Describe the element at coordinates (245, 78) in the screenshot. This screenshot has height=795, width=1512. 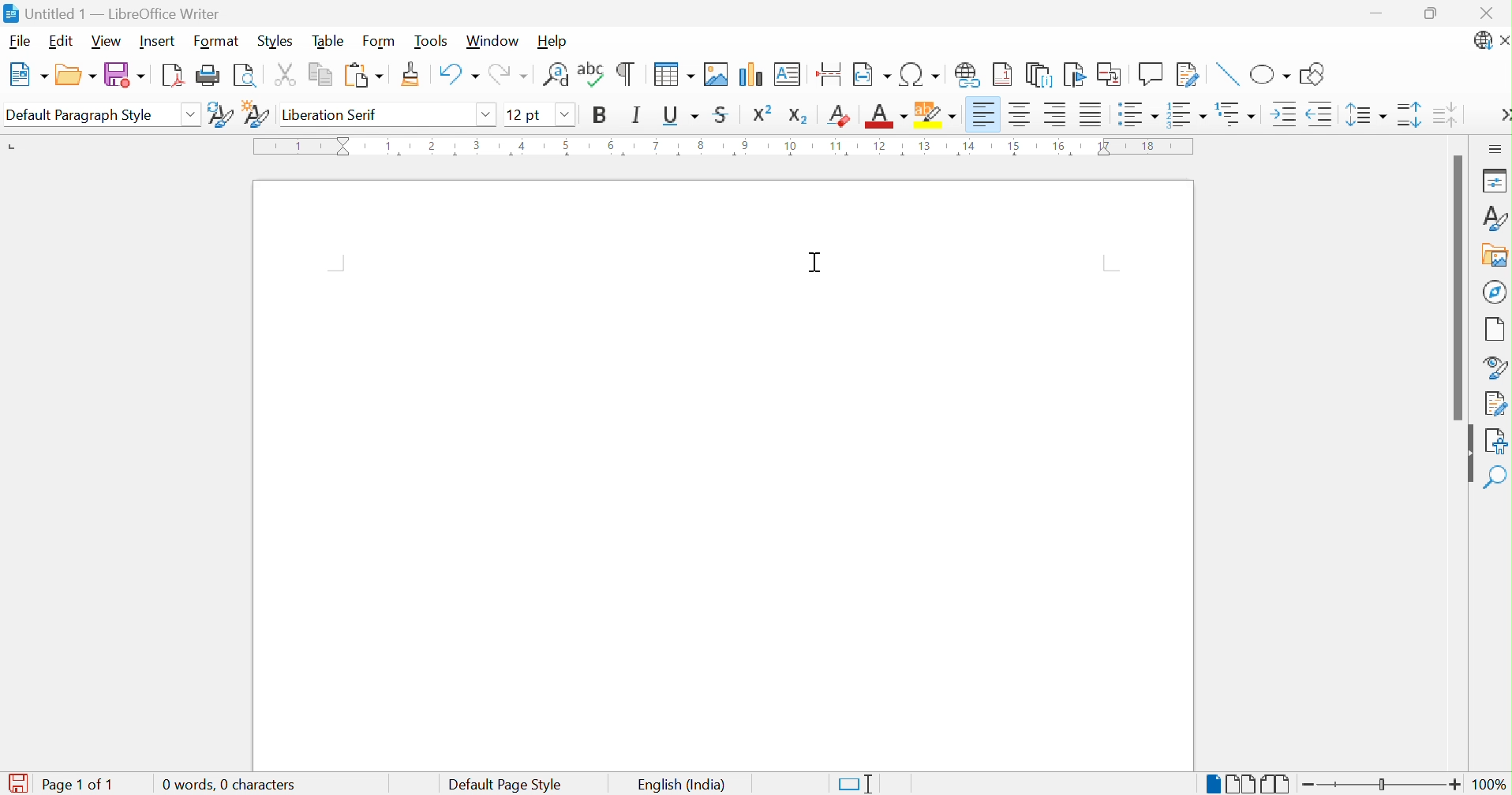
I see `Toggle print preview` at that location.